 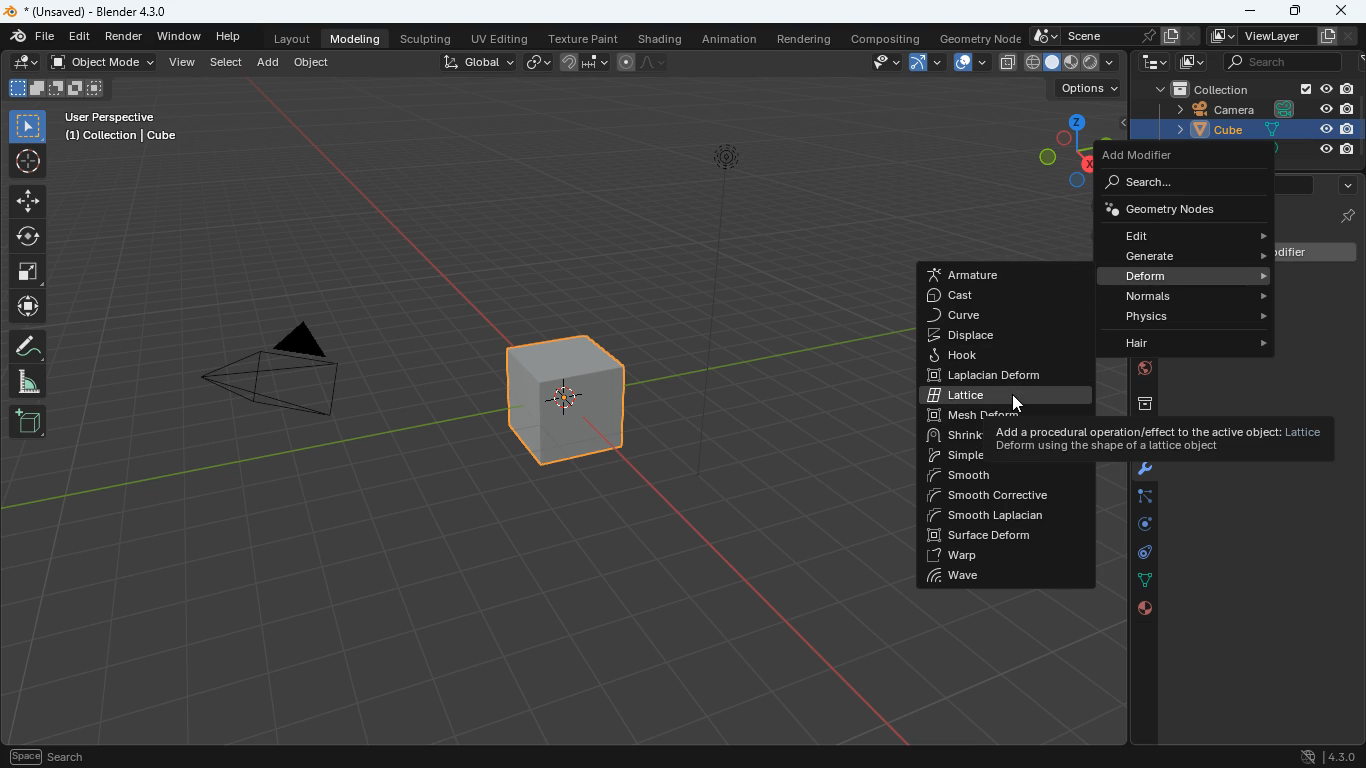 What do you see at coordinates (1003, 556) in the screenshot?
I see `warp` at bounding box center [1003, 556].